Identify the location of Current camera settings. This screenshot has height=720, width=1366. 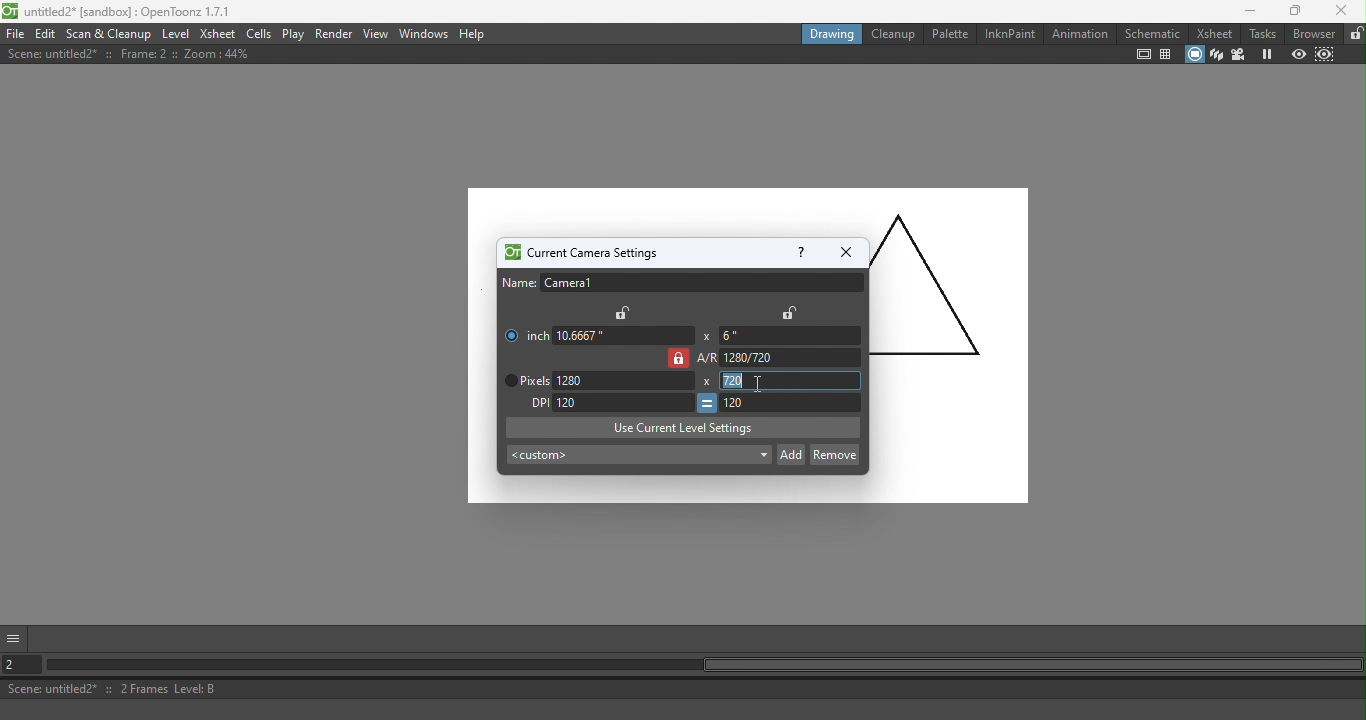
(579, 253).